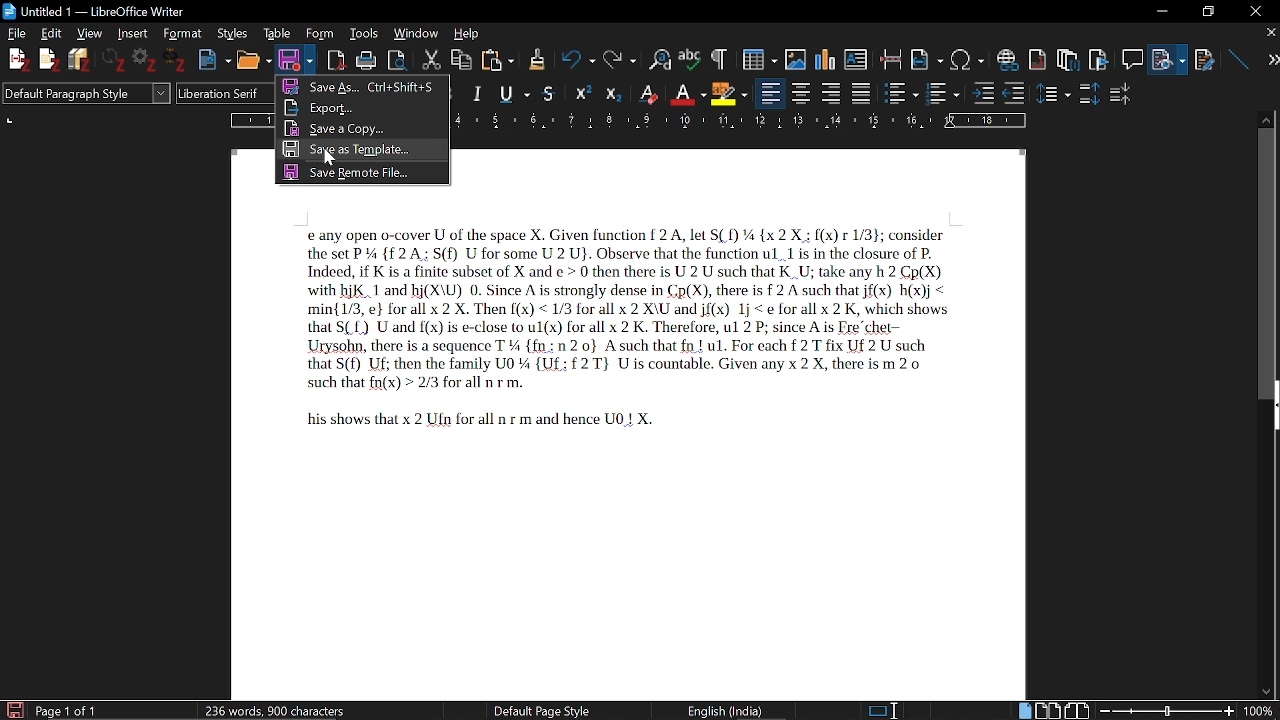 The image size is (1280, 720). Describe the element at coordinates (771, 92) in the screenshot. I see `align left` at that location.